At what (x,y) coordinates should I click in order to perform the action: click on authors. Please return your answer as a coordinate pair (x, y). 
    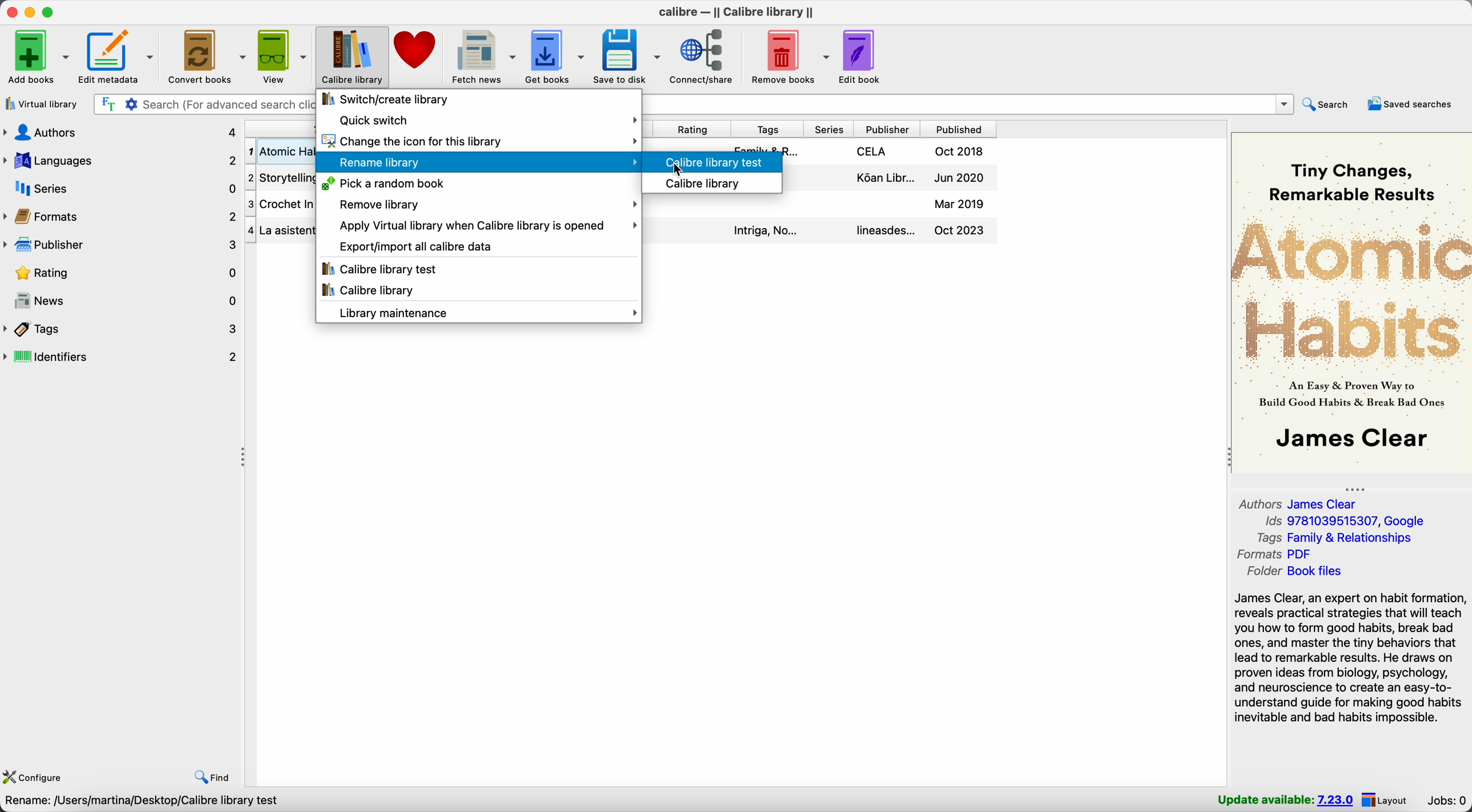
    Looking at the image, I should click on (121, 131).